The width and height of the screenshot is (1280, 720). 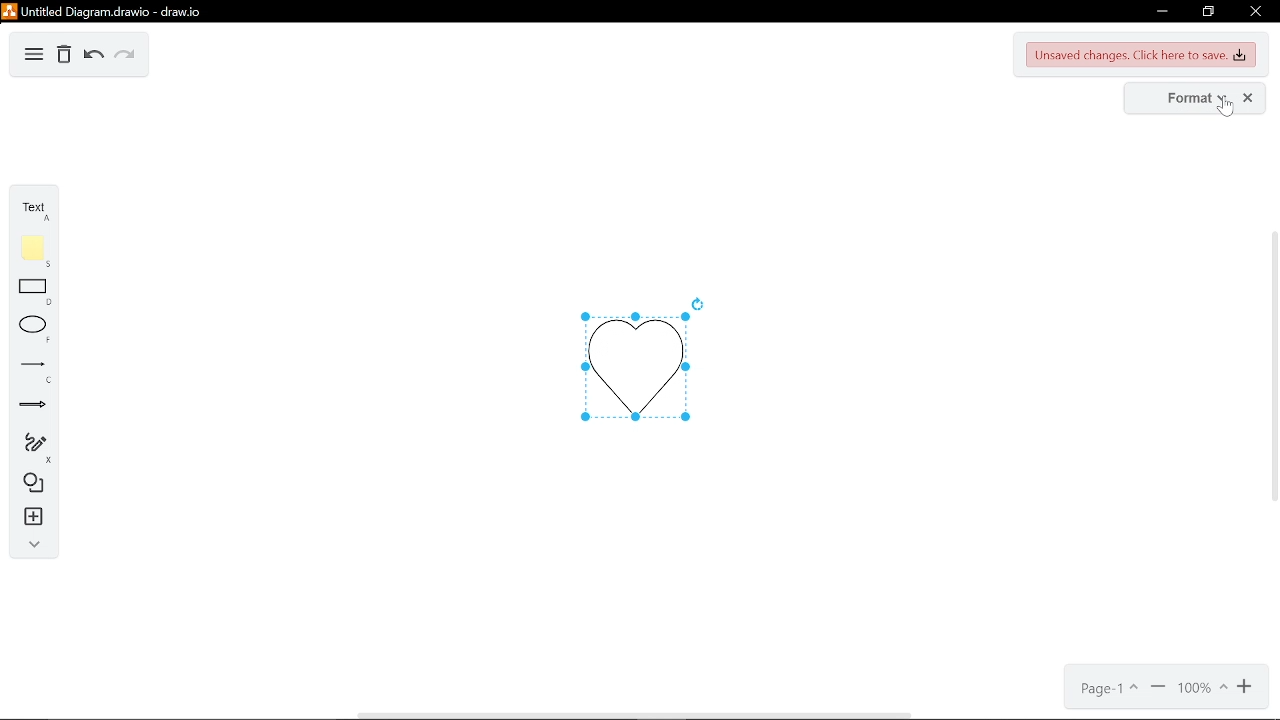 What do you see at coordinates (33, 546) in the screenshot?
I see `collapse` at bounding box center [33, 546].